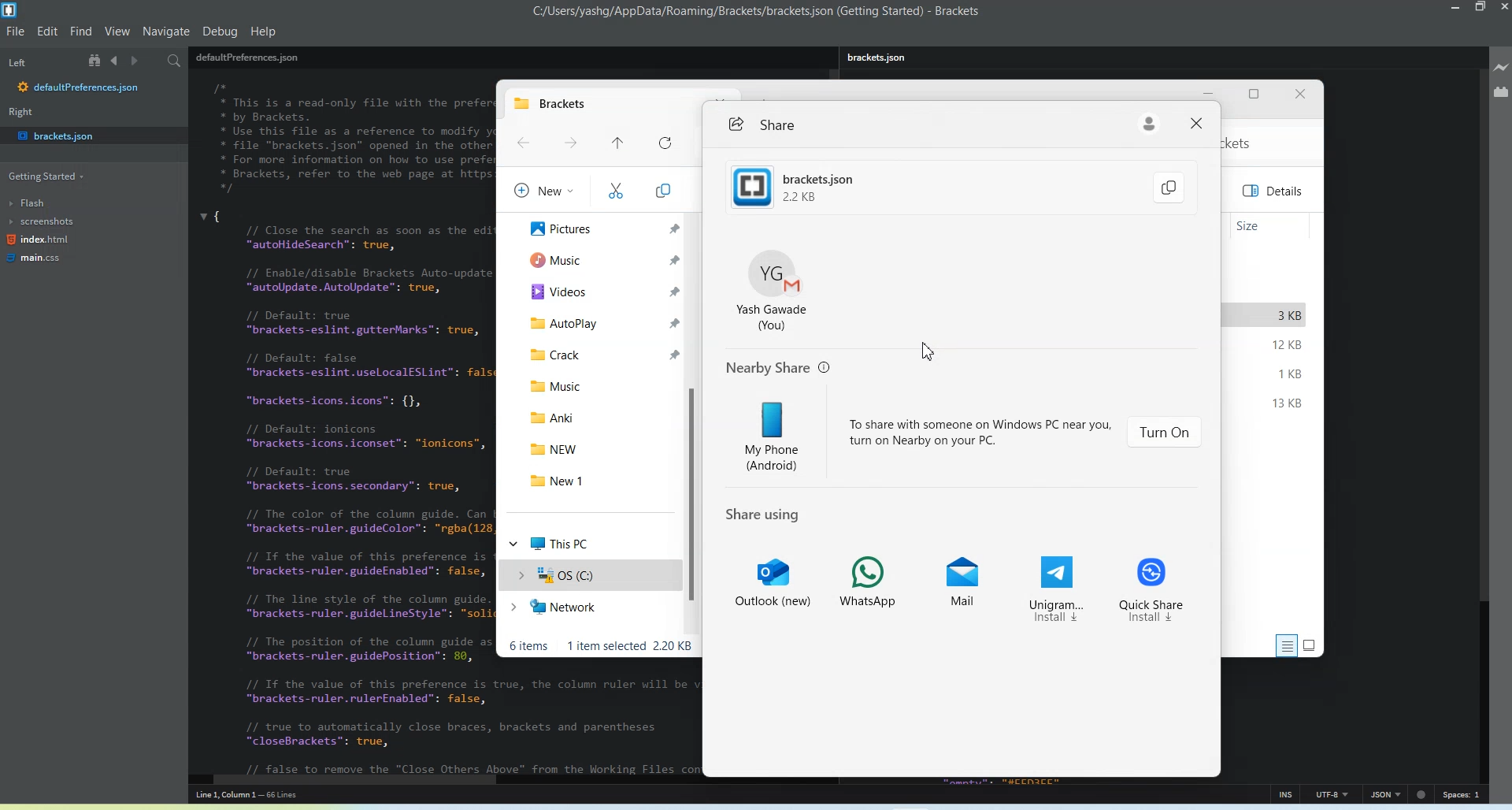  Describe the element at coordinates (97, 61) in the screenshot. I see `Show in file tree` at that location.